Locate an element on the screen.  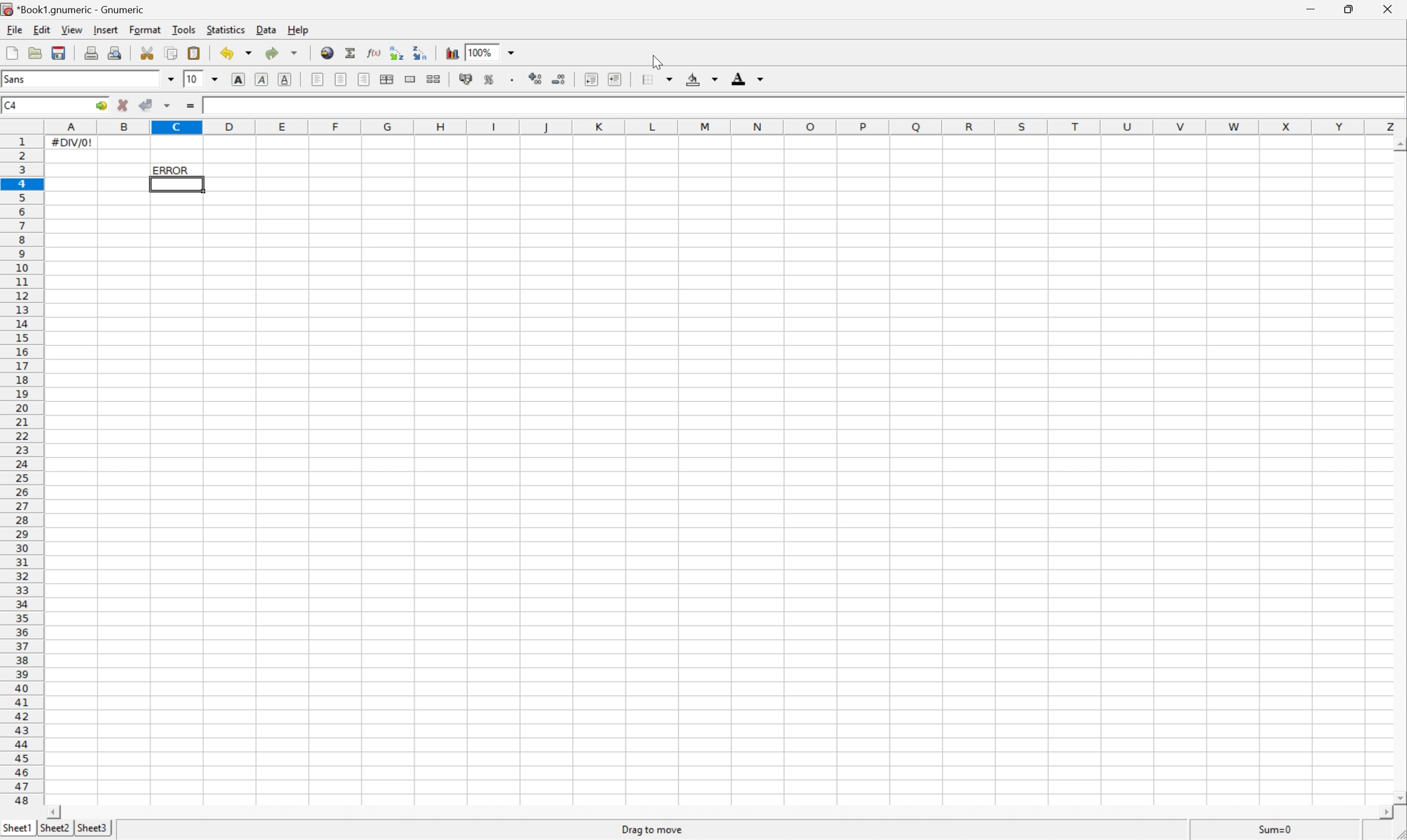
edit is located at coordinates (43, 31).